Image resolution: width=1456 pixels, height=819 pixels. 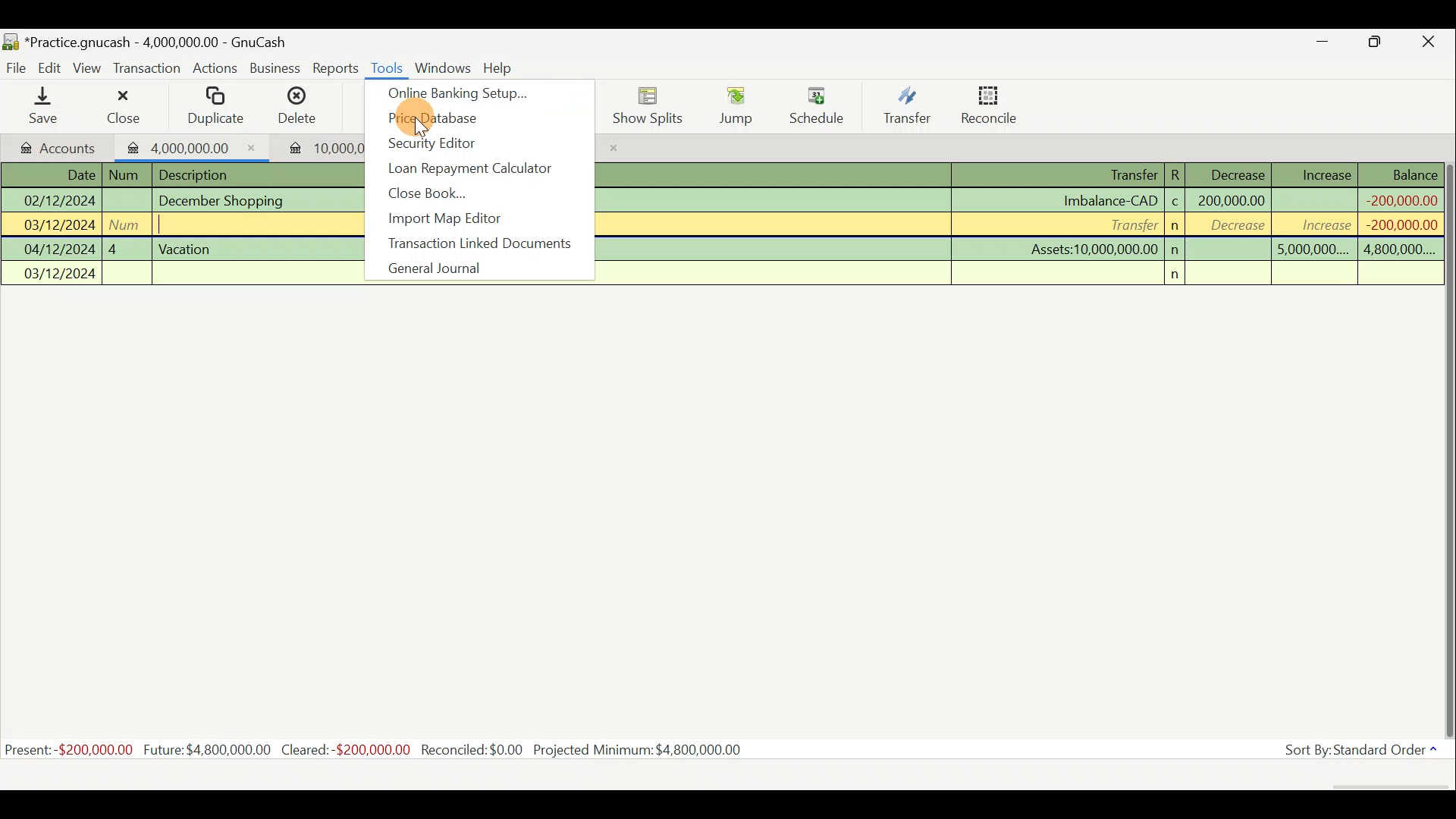 I want to click on -200,000,000, so click(x=1399, y=199).